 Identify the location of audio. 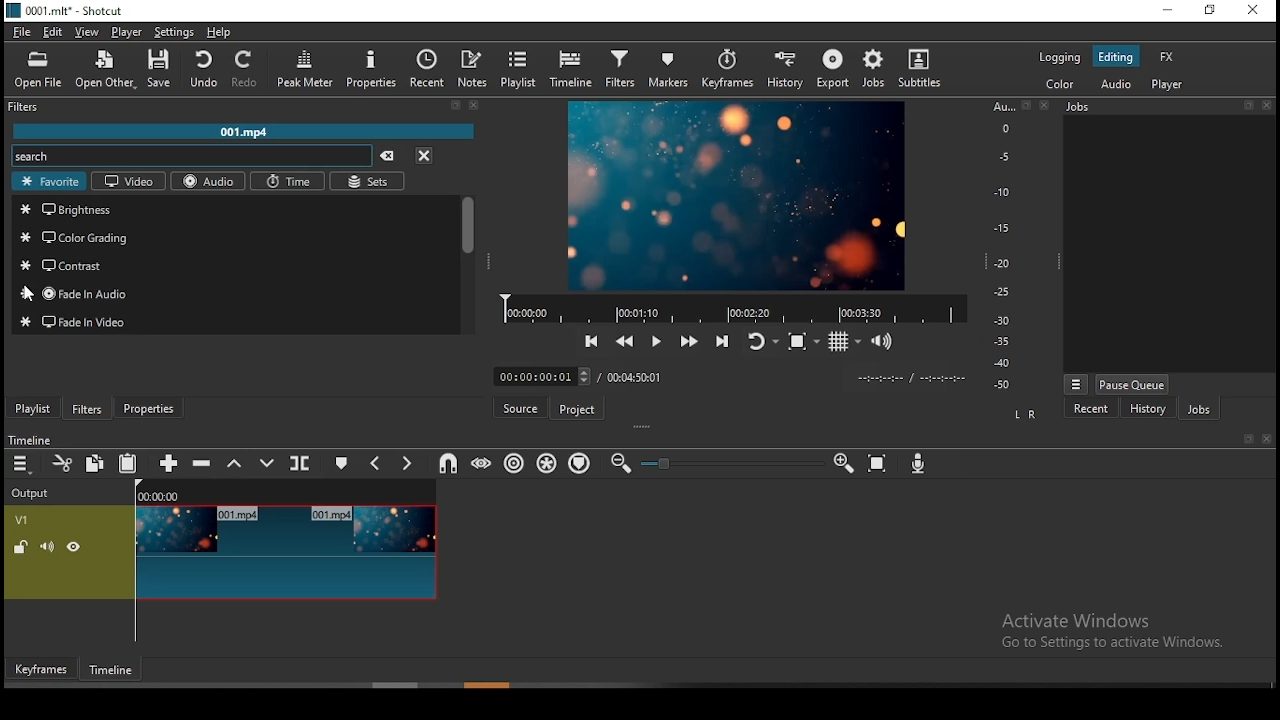
(207, 181).